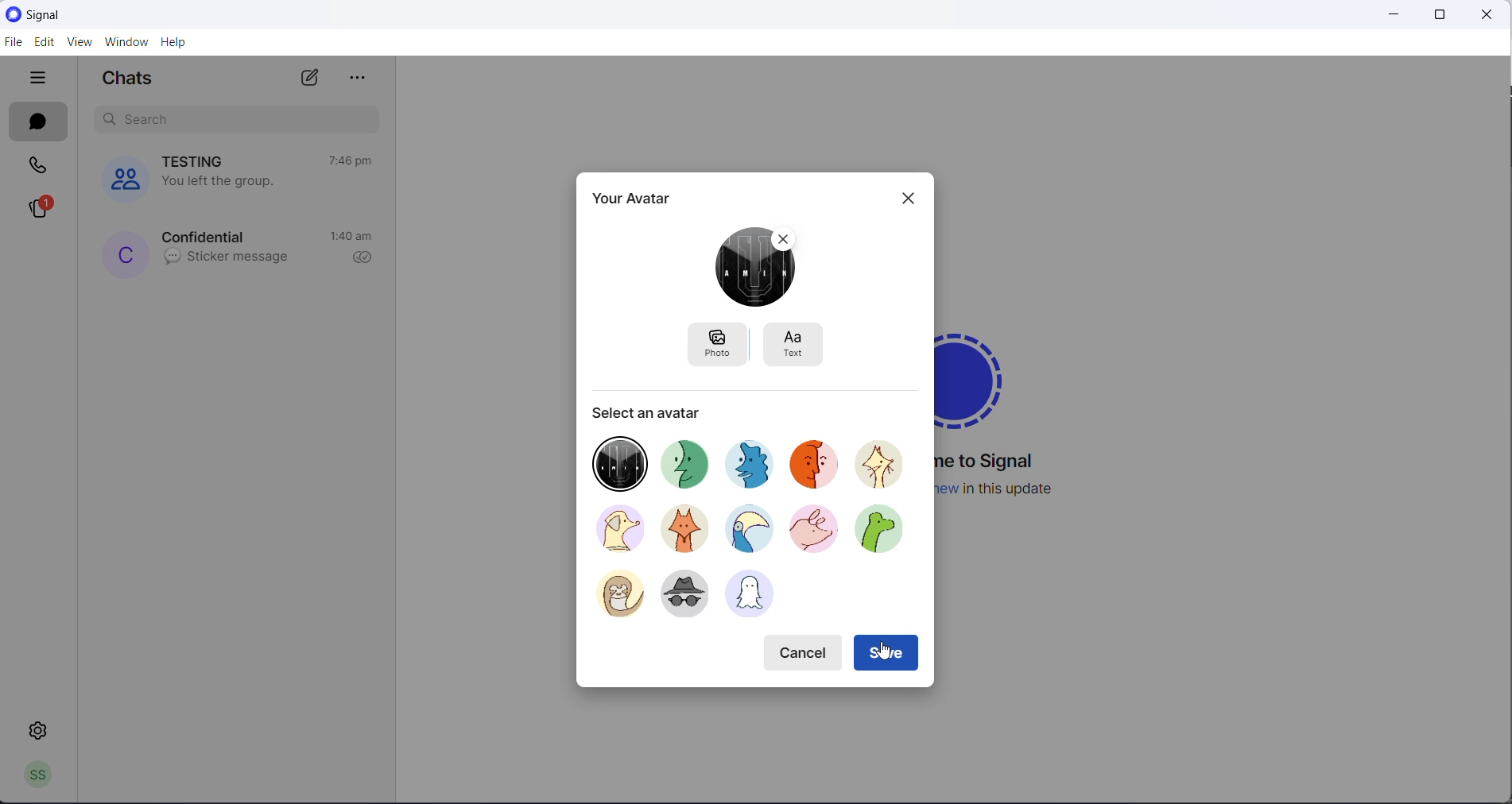 The height and width of the screenshot is (804, 1512). Describe the element at coordinates (38, 164) in the screenshot. I see `calls` at that location.